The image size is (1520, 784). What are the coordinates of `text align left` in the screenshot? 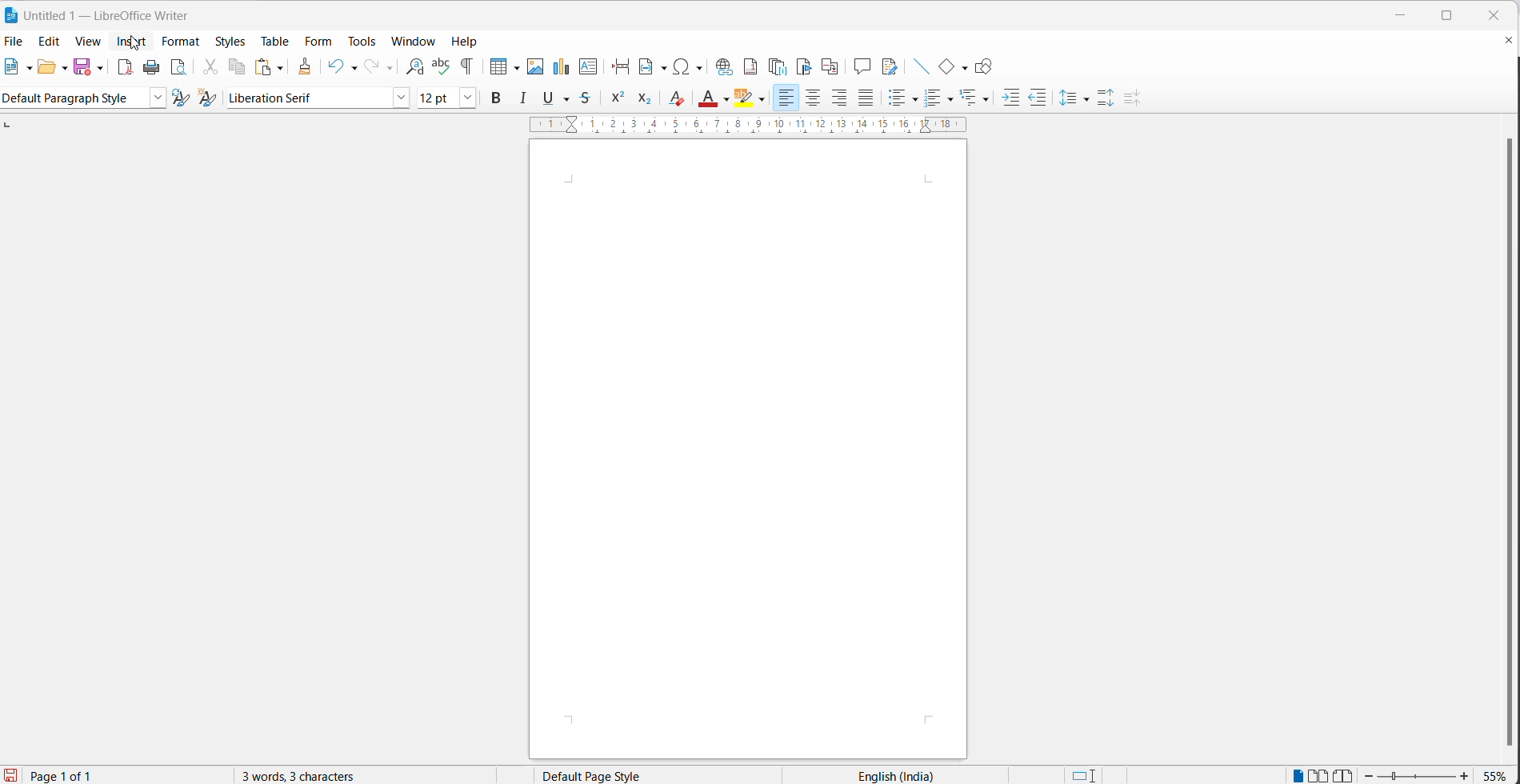 It's located at (787, 98).